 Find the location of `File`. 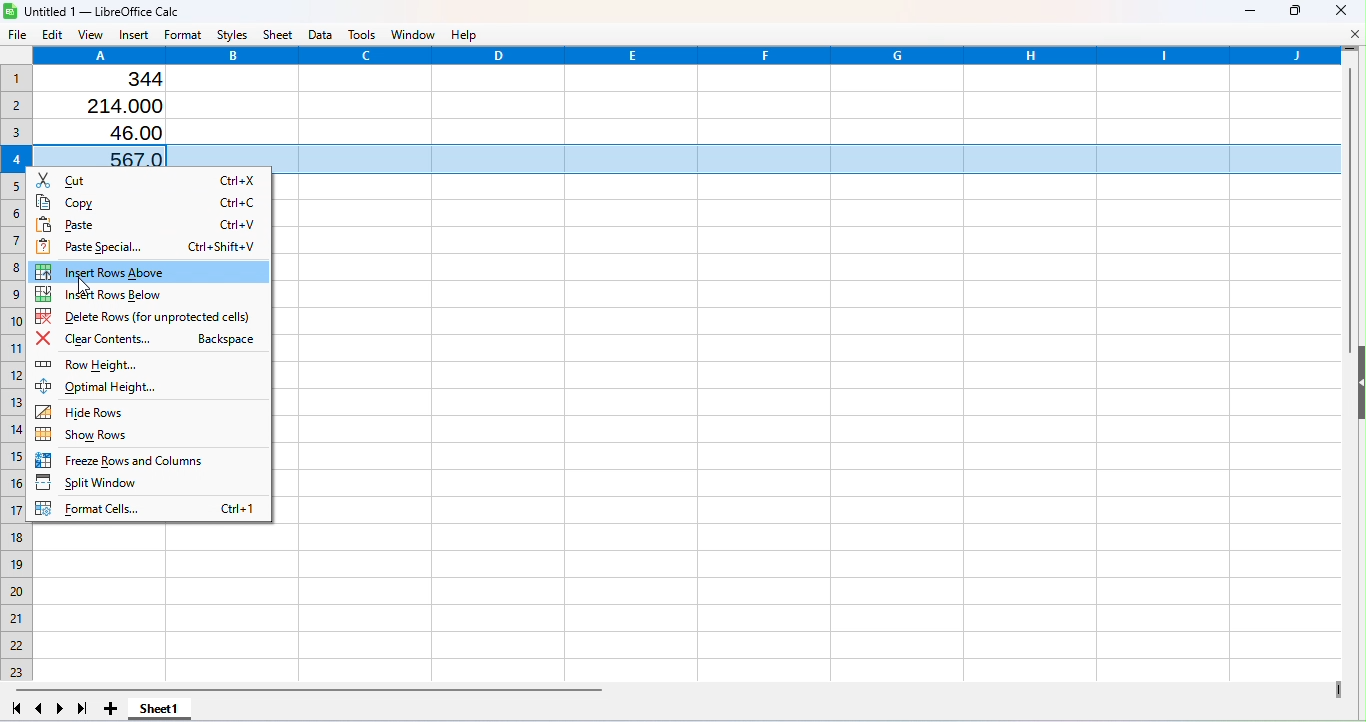

File is located at coordinates (15, 36).